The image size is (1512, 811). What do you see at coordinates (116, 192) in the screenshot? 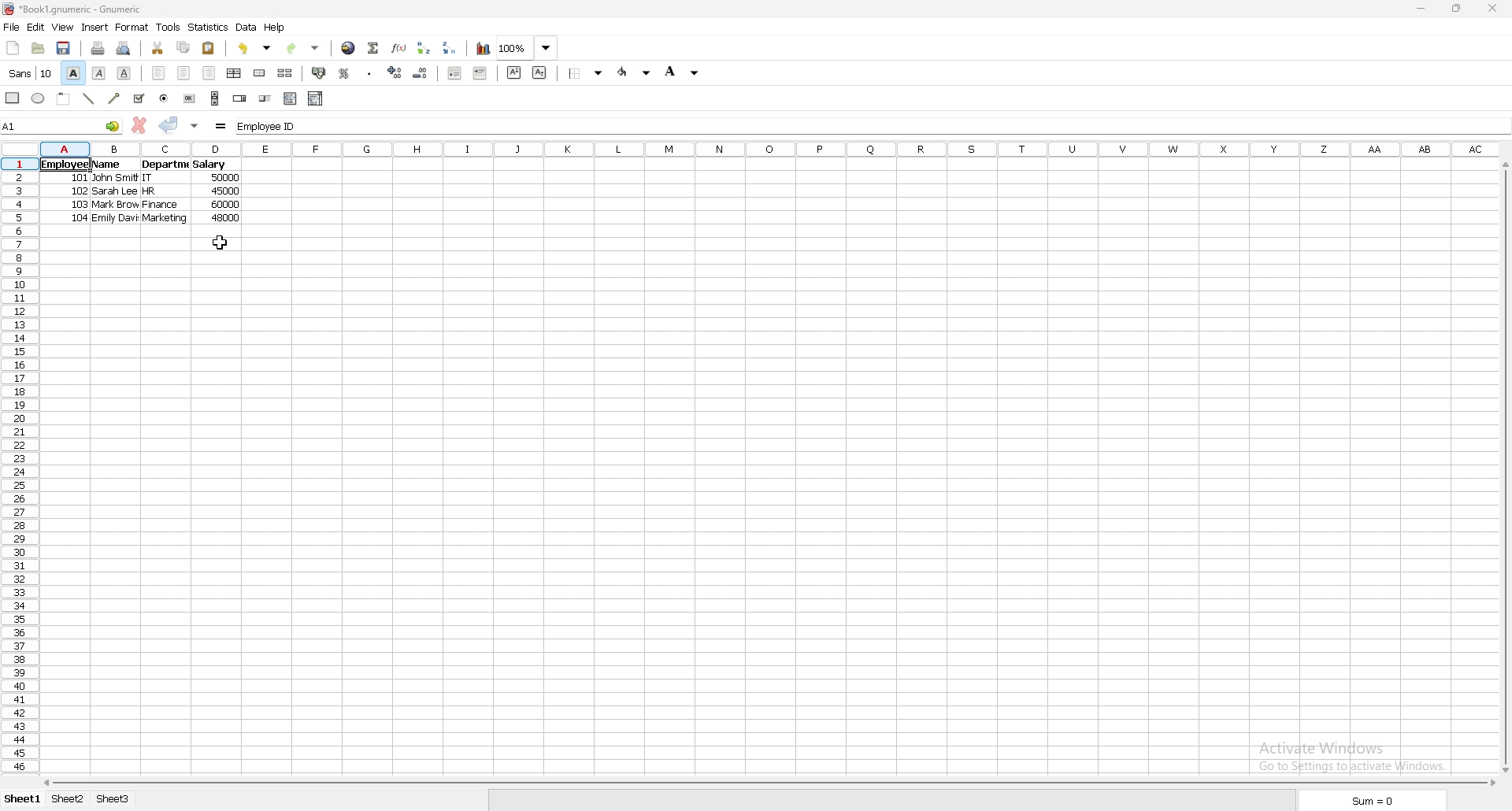
I see `sarah lee` at bounding box center [116, 192].